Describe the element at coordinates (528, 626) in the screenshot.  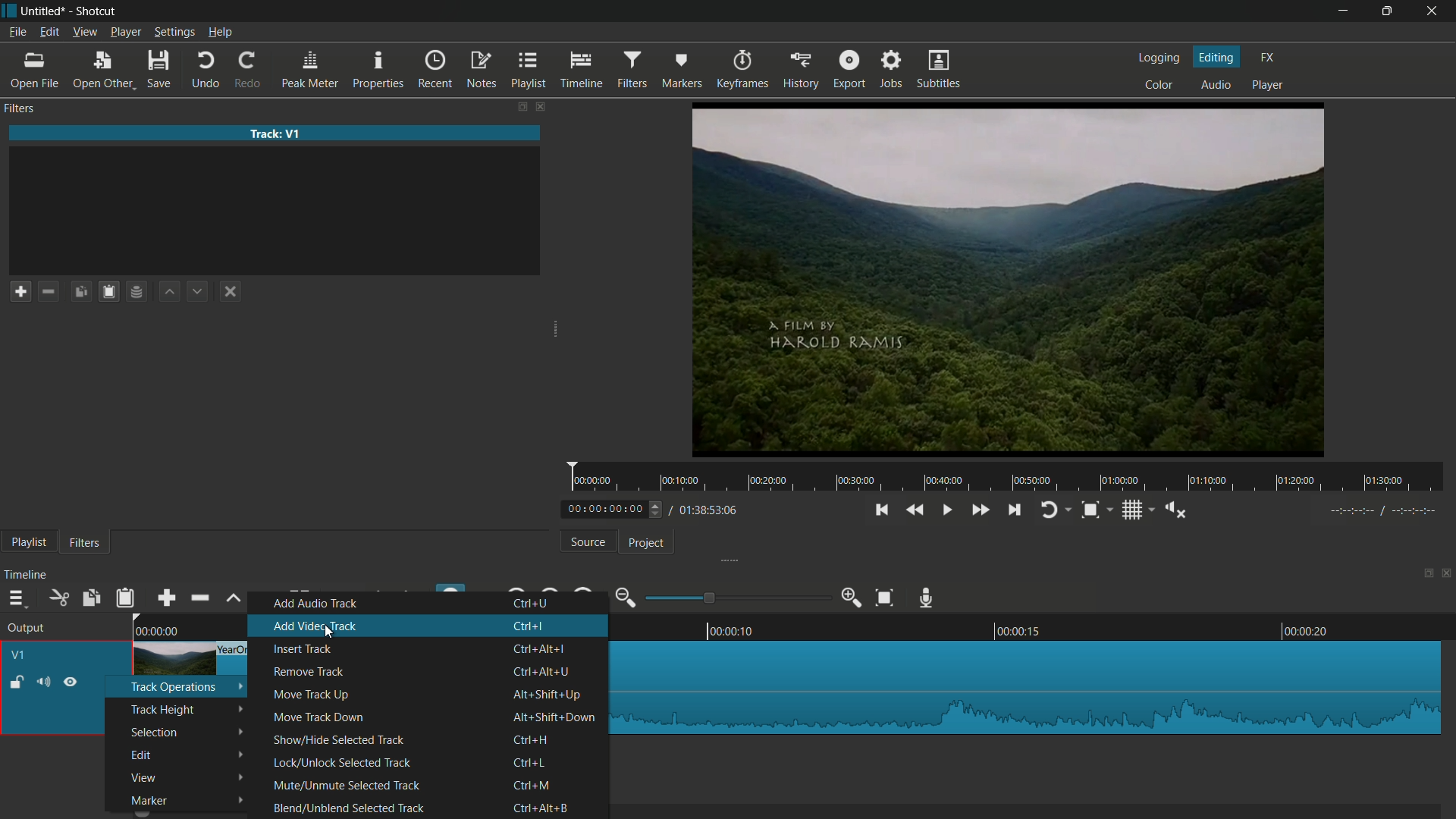
I see `key shortcut` at that location.